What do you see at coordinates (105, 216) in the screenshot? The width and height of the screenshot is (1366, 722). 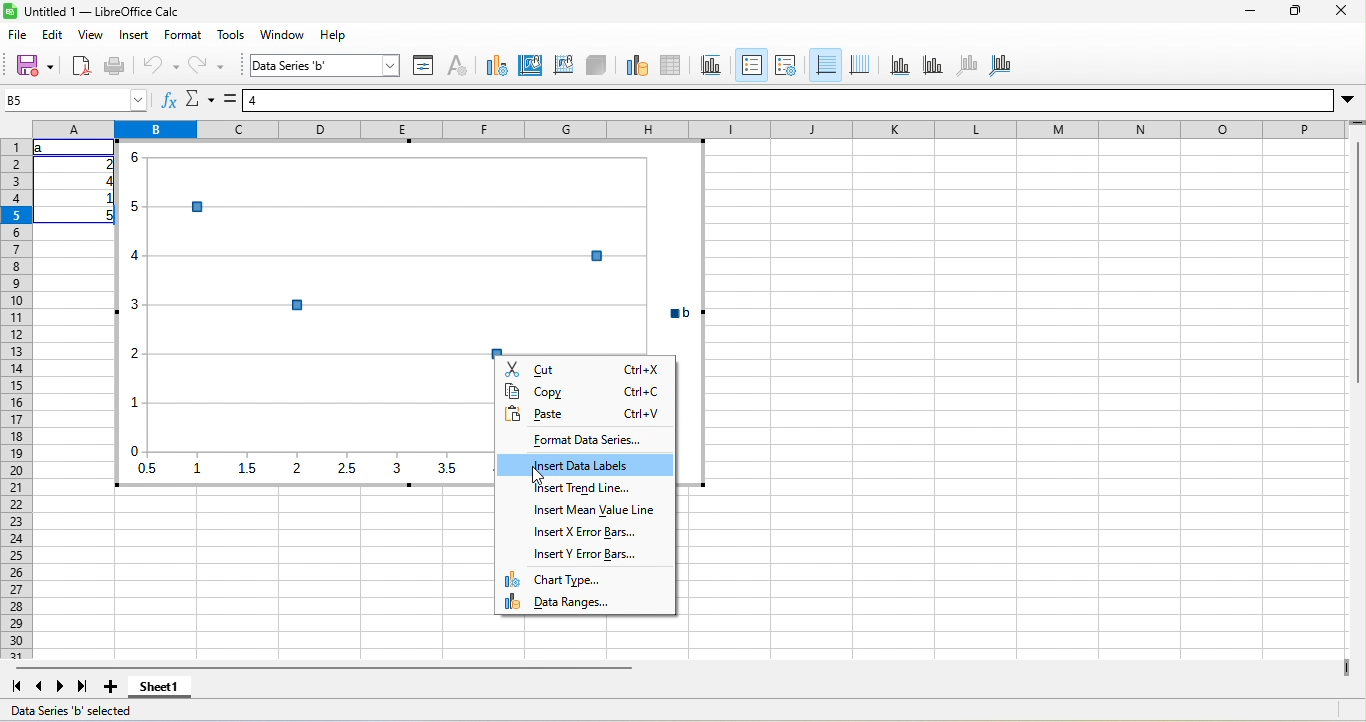 I see `5` at bounding box center [105, 216].